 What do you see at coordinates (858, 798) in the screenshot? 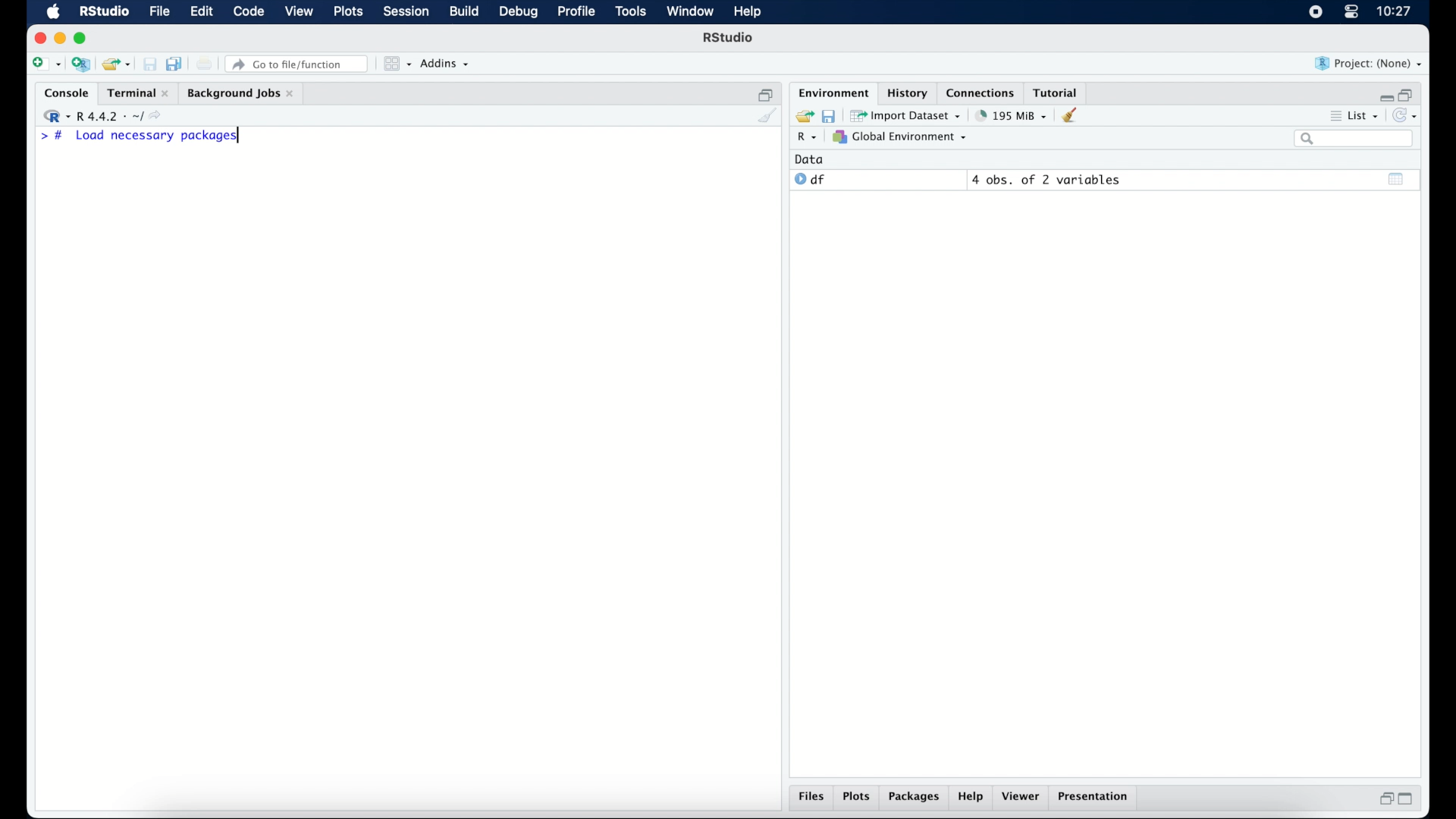
I see `plots` at bounding box center [858, 798].